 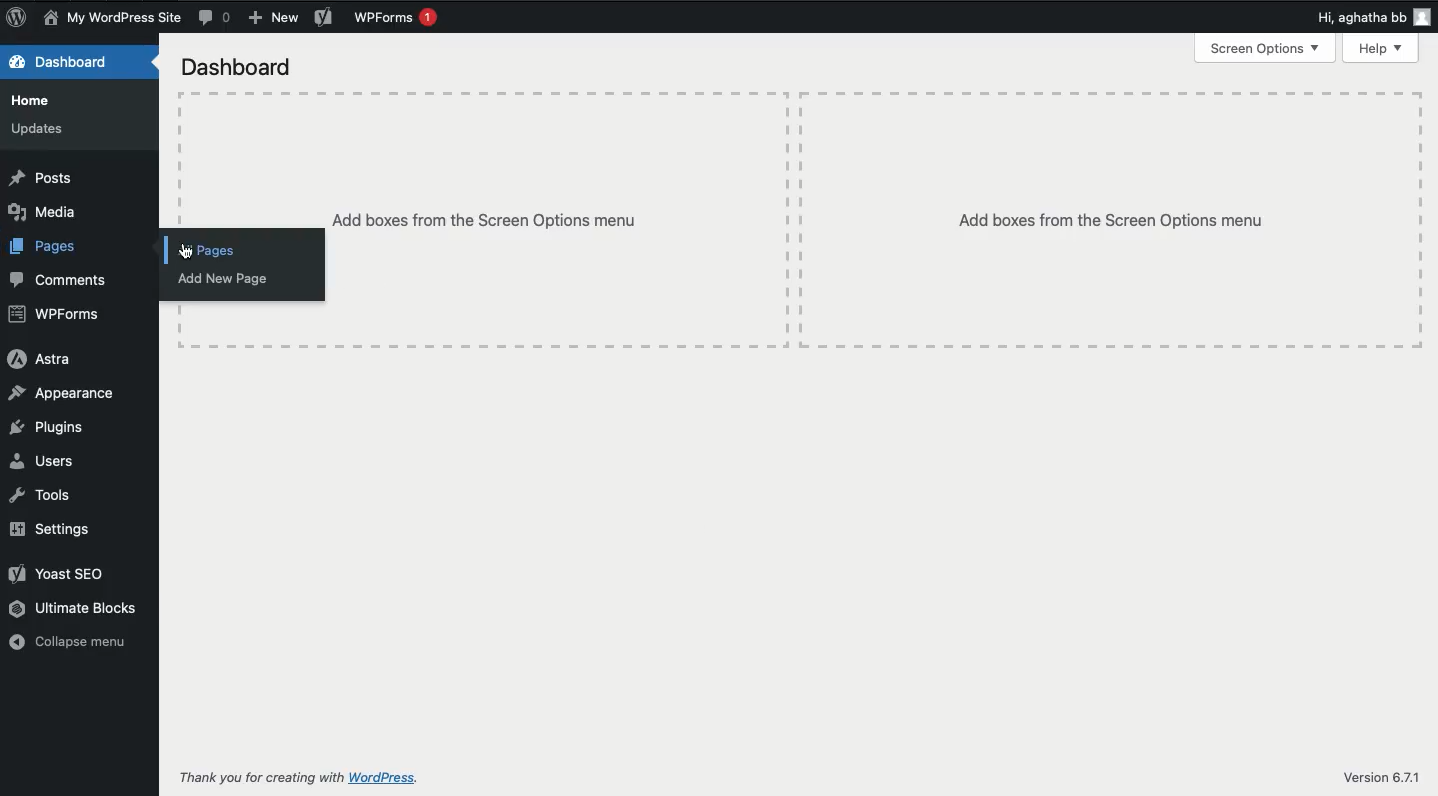 What do you see at coordinates (63, 64) in the screenshot?
I see `Dashboard` at bounding box center [63, 64].